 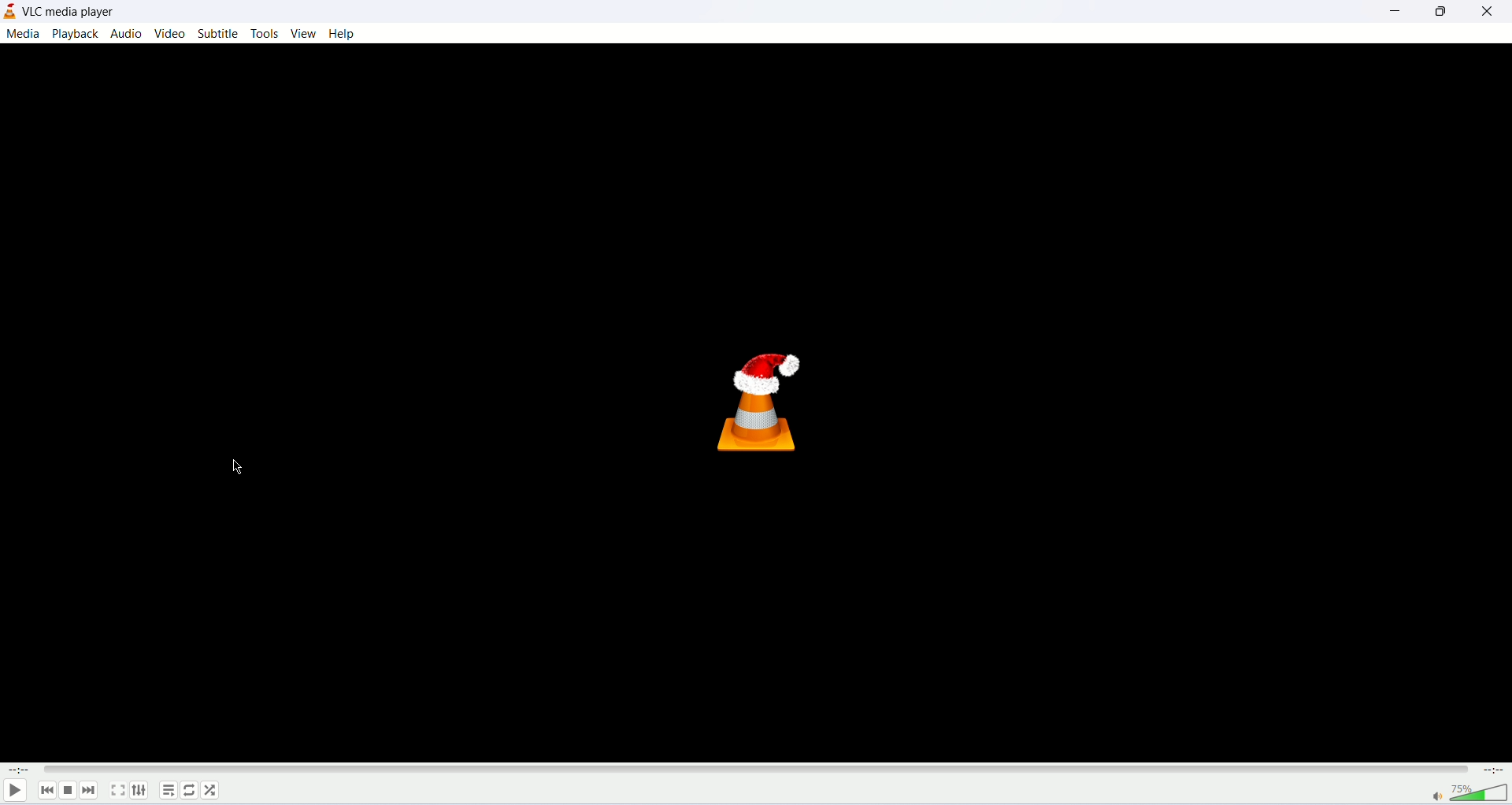 I want to click on mouse cursor, so click(x=235, y=468).